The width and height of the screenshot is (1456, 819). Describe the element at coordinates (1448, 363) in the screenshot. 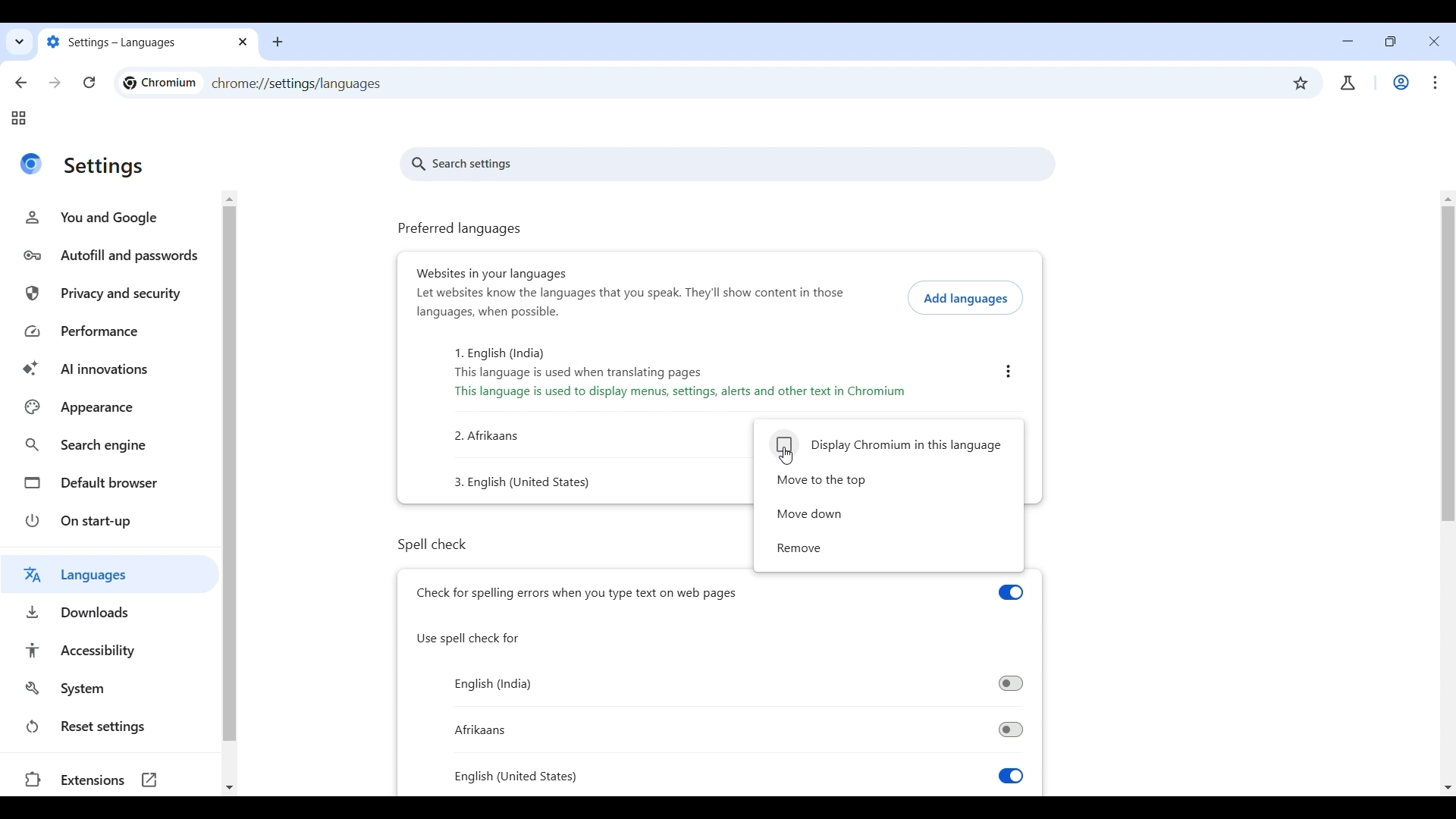

I see `Vertical slide bar` at that location.